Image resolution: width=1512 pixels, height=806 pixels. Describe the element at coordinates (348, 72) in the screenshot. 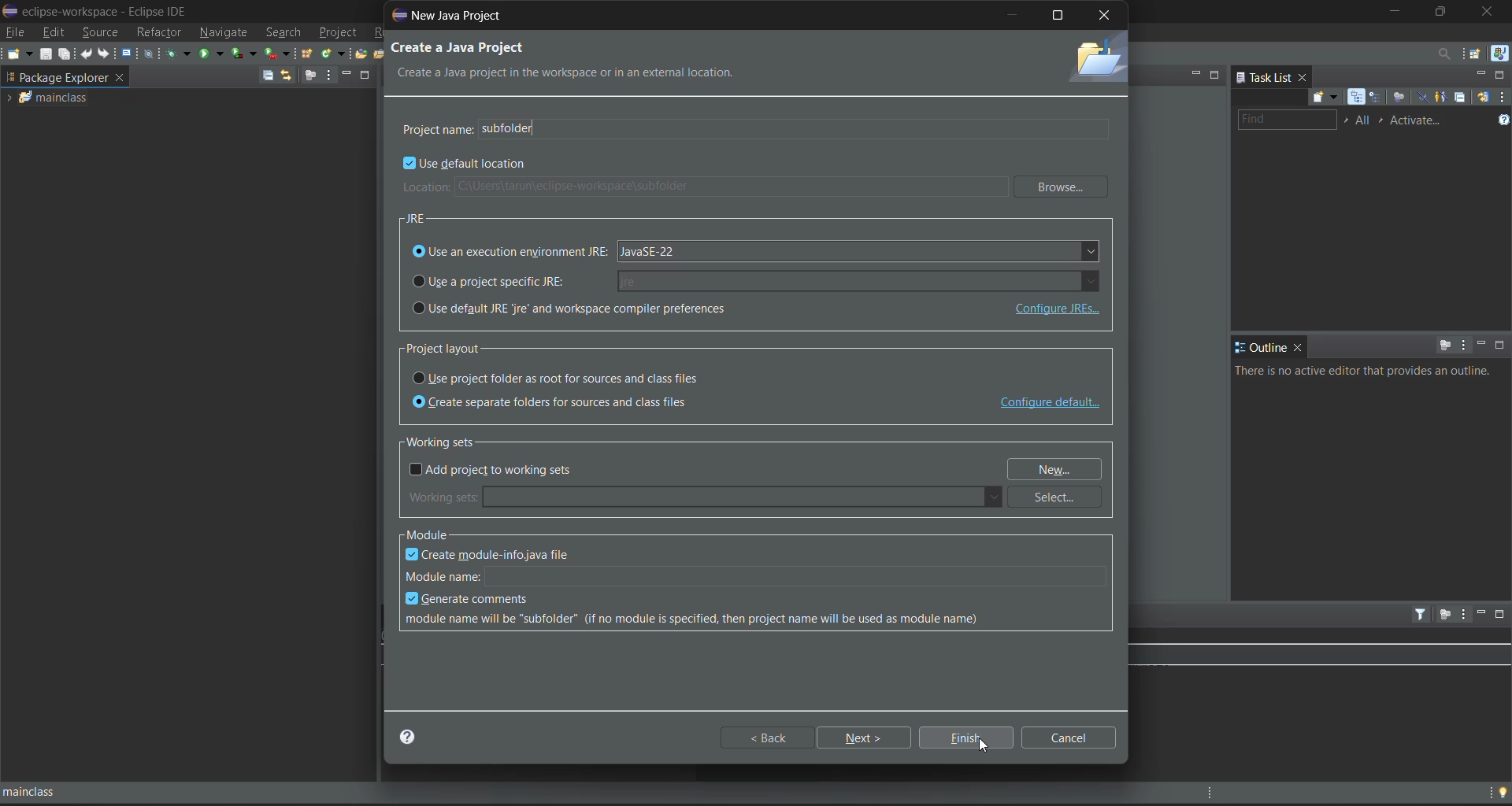

I see `minimize` at that location.